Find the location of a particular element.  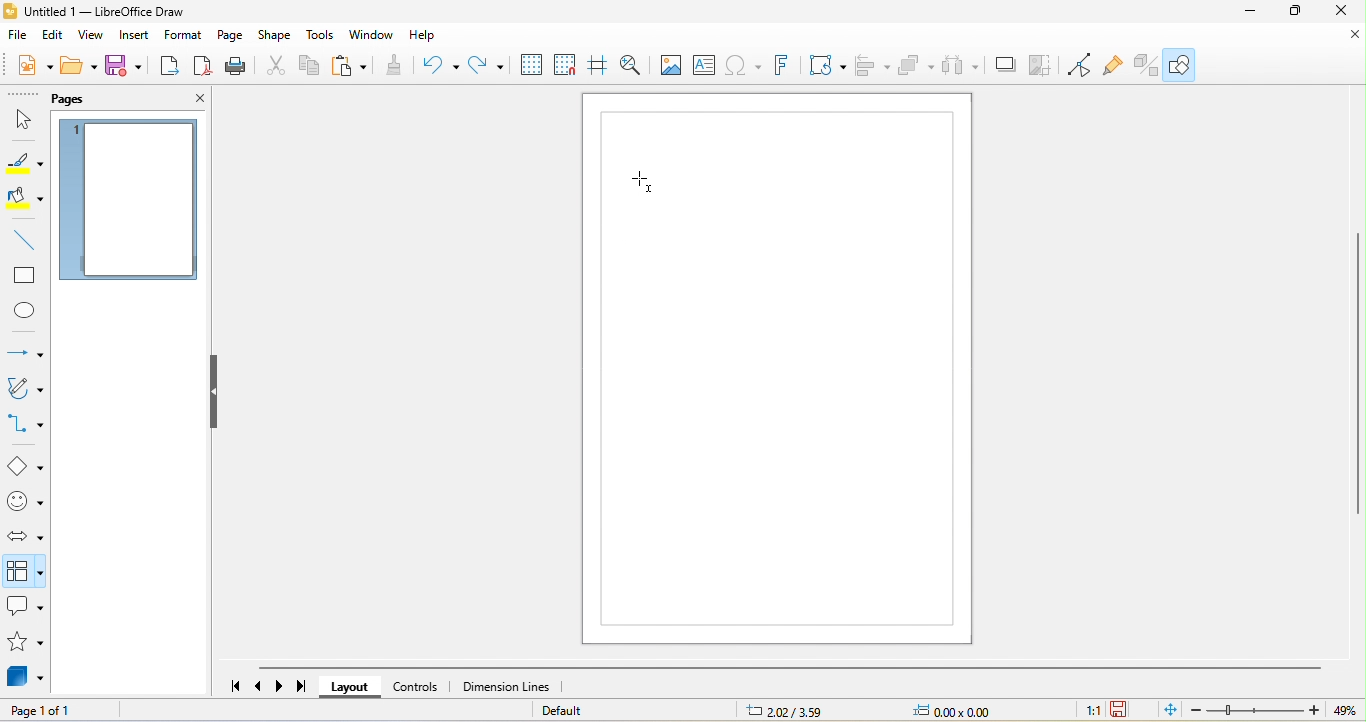

view is located at coordinates (92, 36).